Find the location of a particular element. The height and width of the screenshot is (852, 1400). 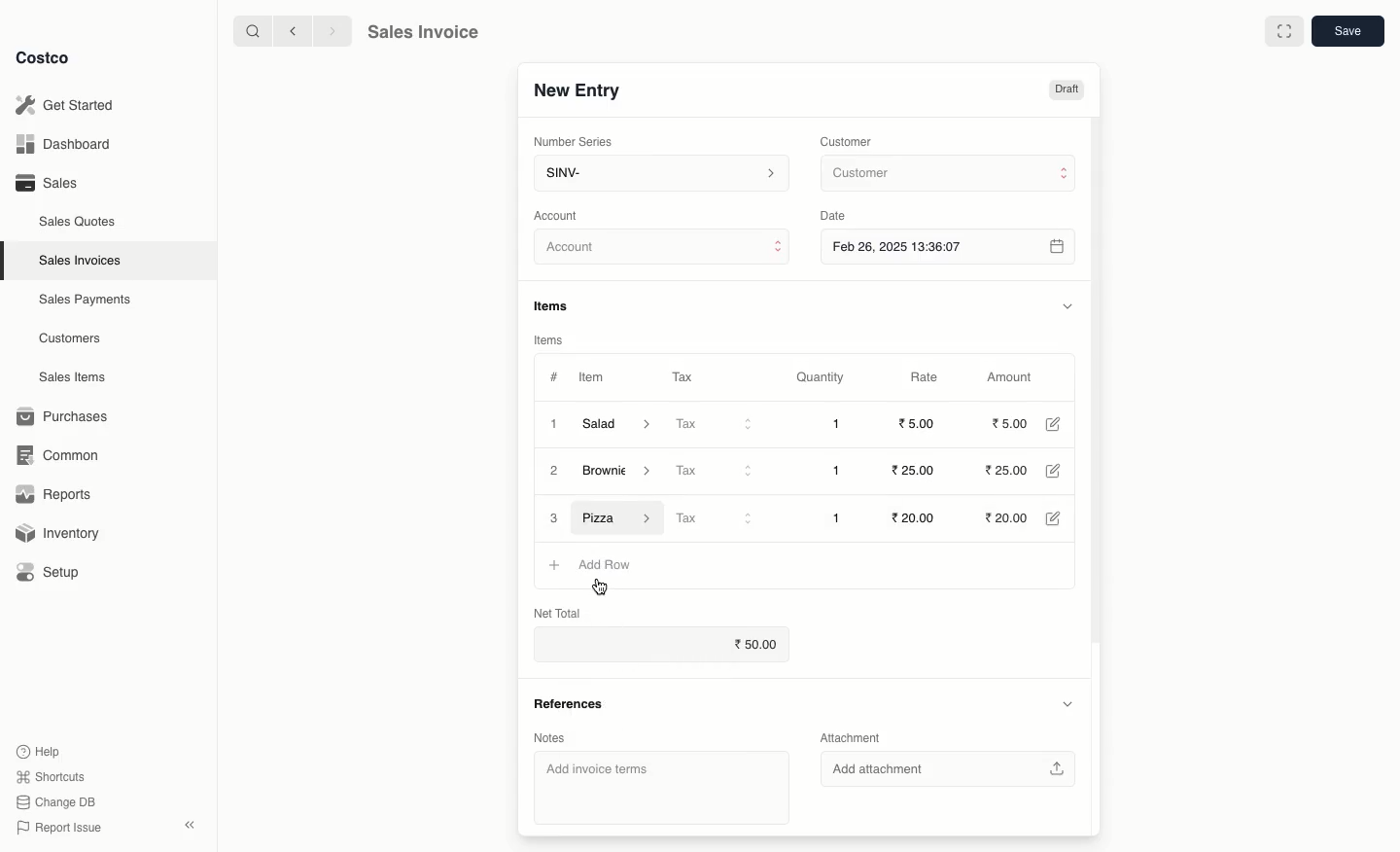

New Entry is located at coordinates (576, 89).